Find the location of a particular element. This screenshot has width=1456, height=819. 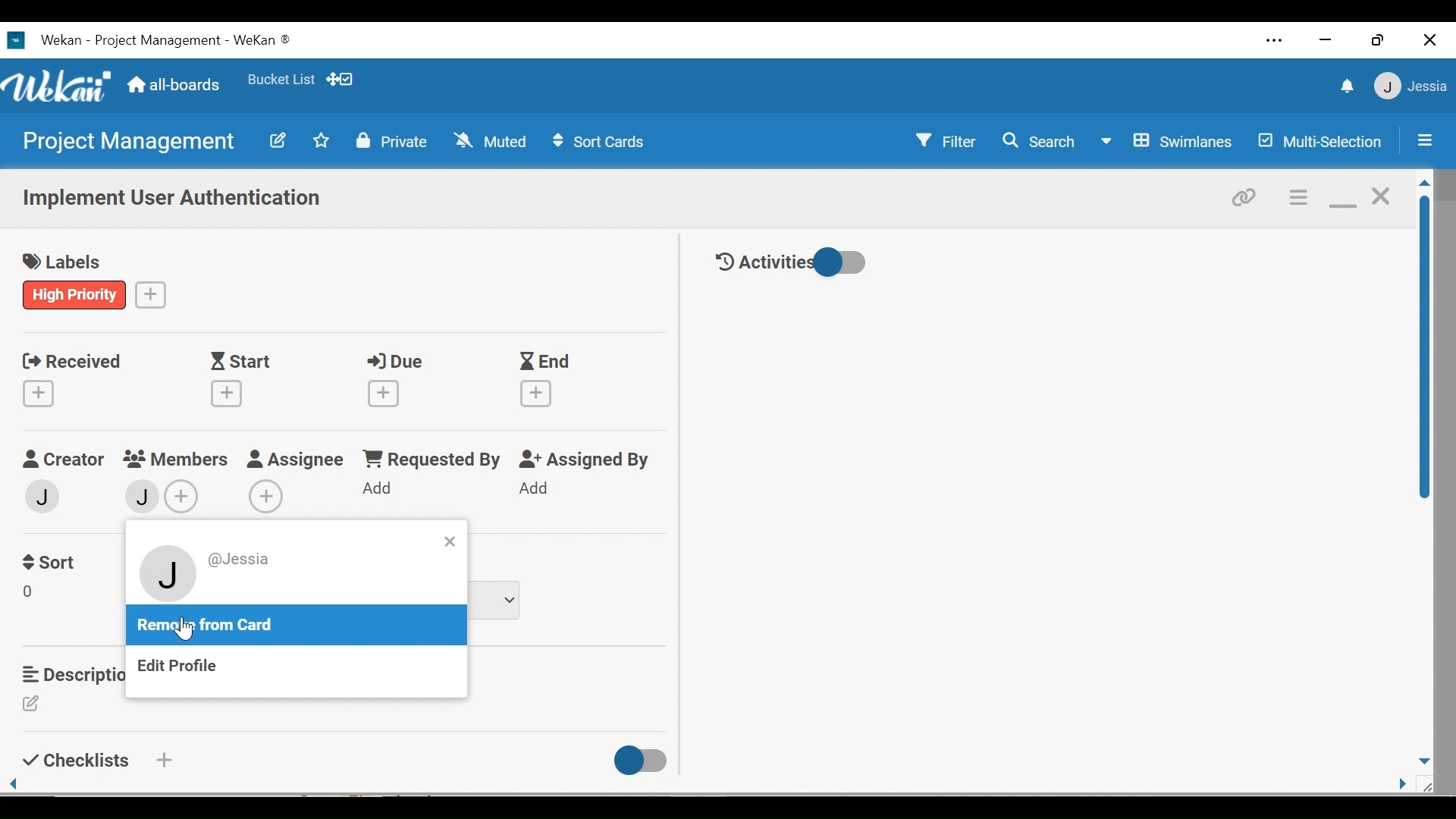

cursor is located at coordinates (185, 629).